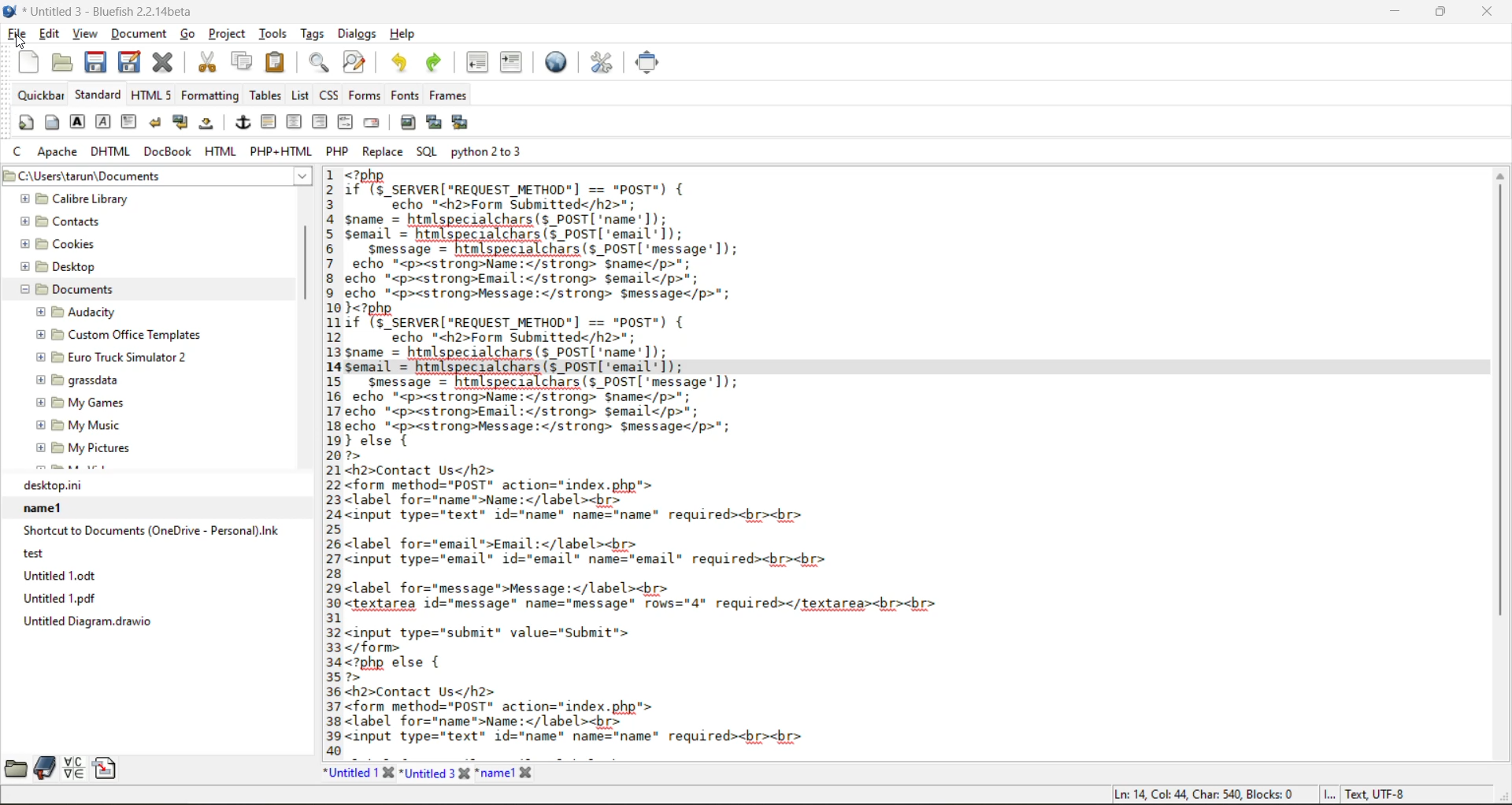  What do you see at coordinates (18, 35) in the screenshot?
I see `file` at bounding box center [18, 35].